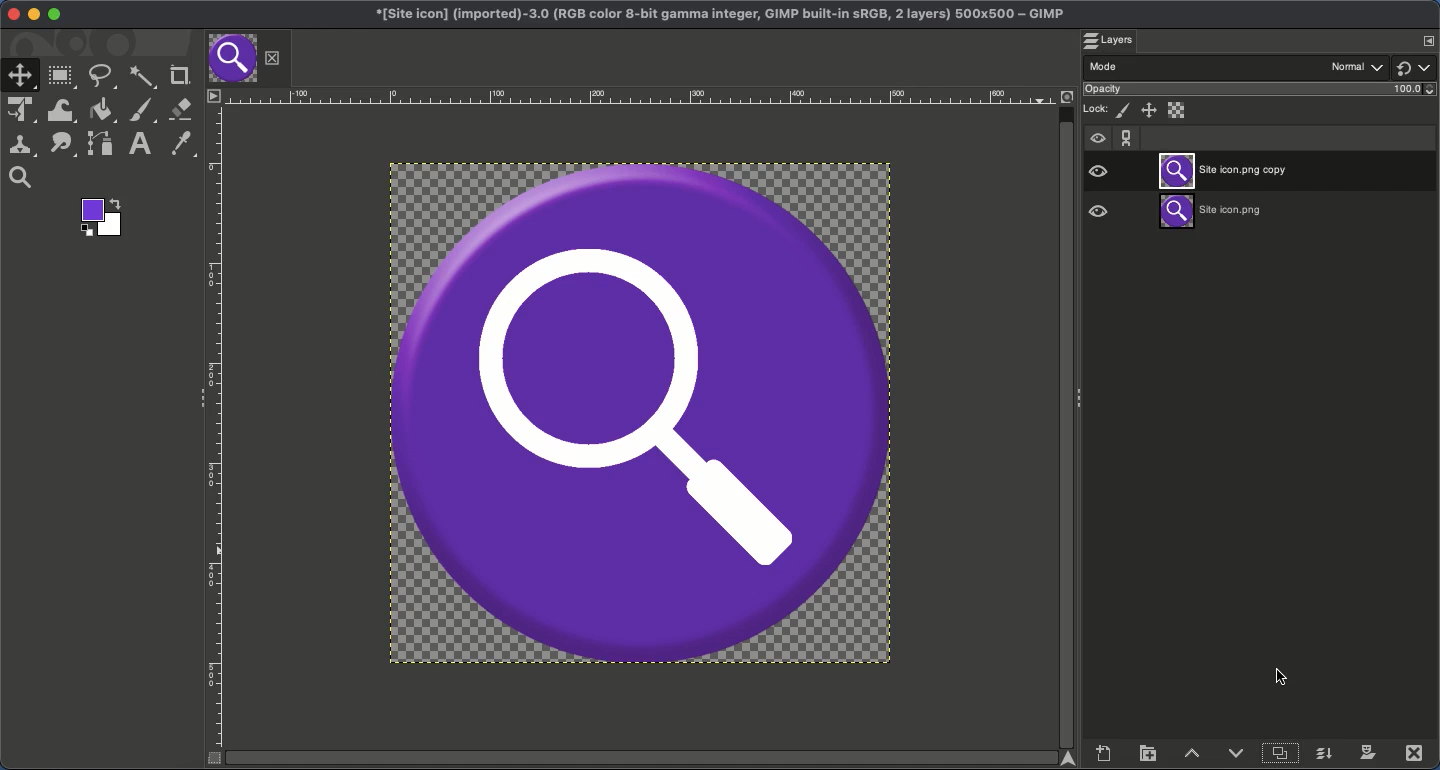 The width and height of the screenshot is (1440, 770). What do you see at coordinates (17, 74) in the screenshot?
I see `Move tool` at bounding box center [17, 74].